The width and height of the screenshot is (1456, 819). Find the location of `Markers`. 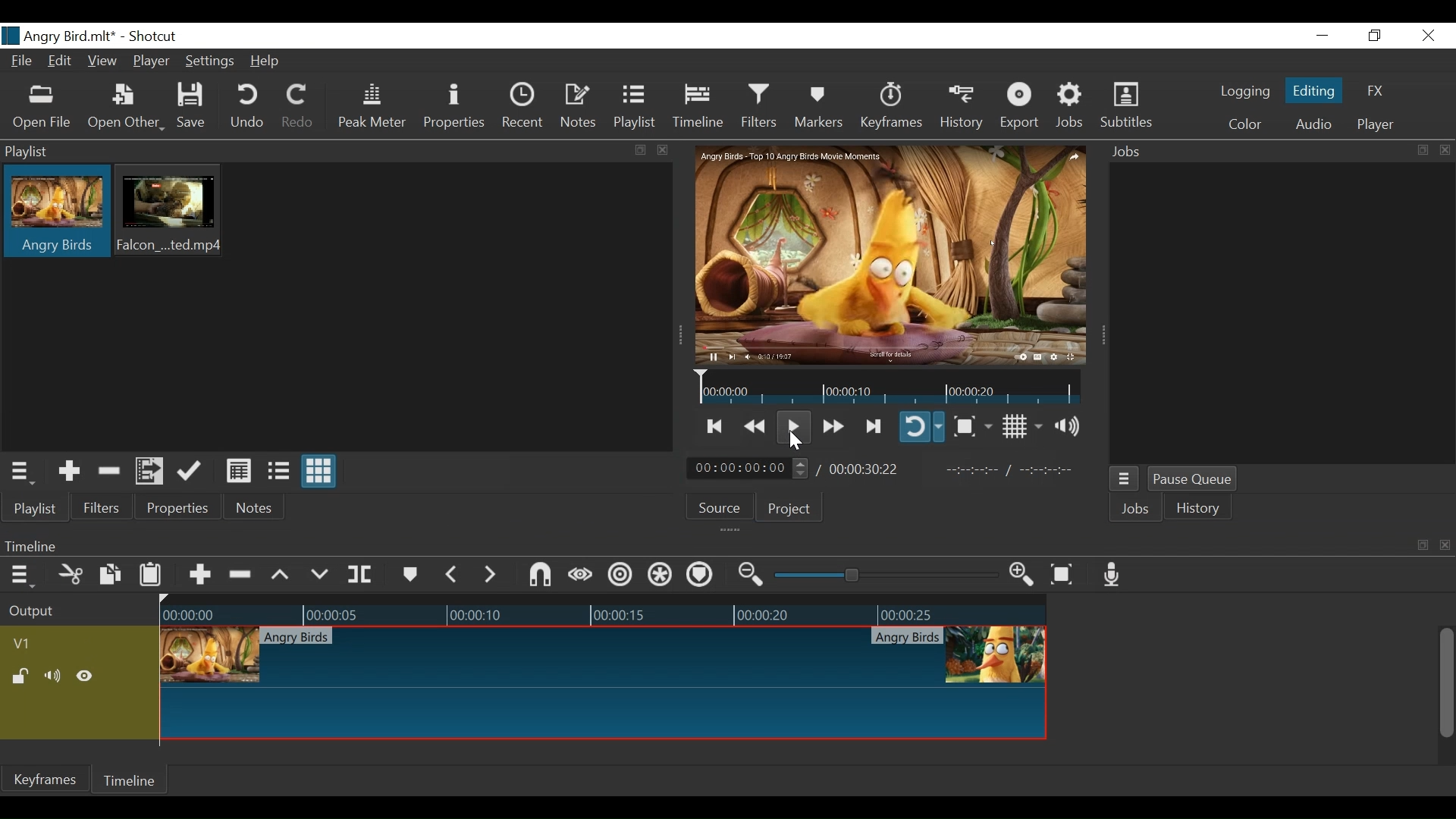

Markers is located at coordinates (817, 108).